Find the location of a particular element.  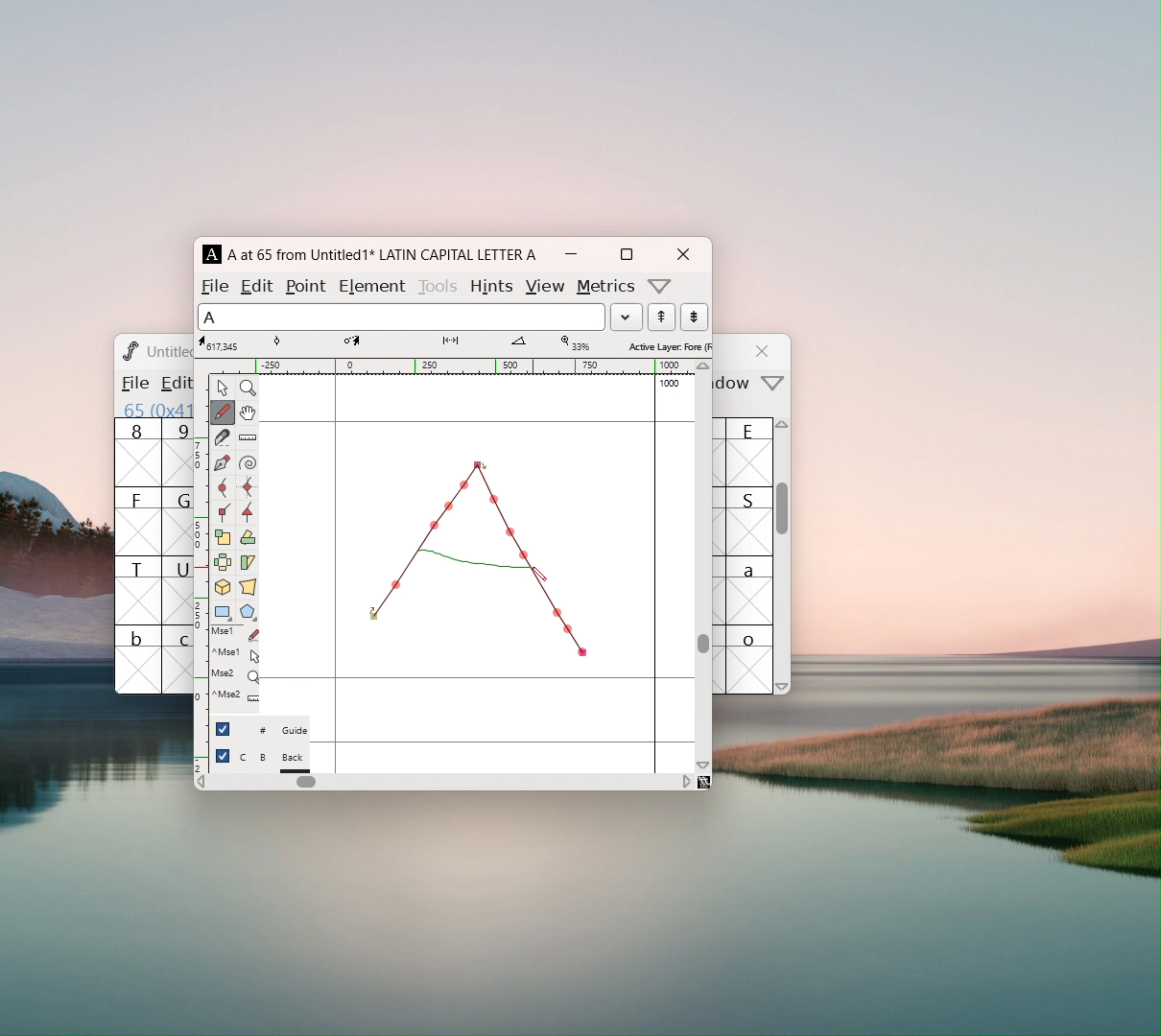

show the previous word in the wordlist is located at coordinates (694, 317).